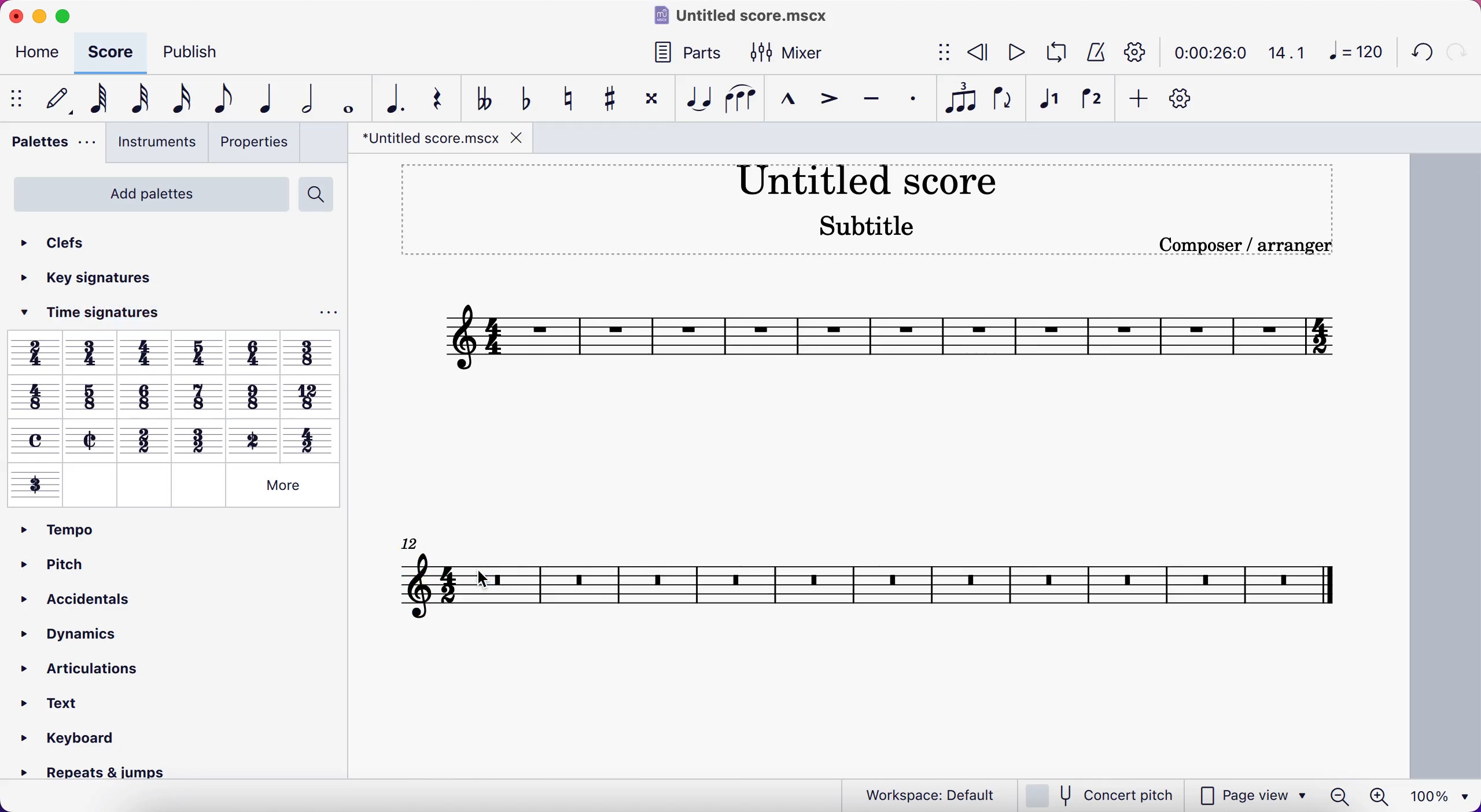 This screenshot has width=1481, height=812. What do you see at coordinates (922, 793) in the screenshot?
I see `workspace: default` at bounding box center [922, 793].